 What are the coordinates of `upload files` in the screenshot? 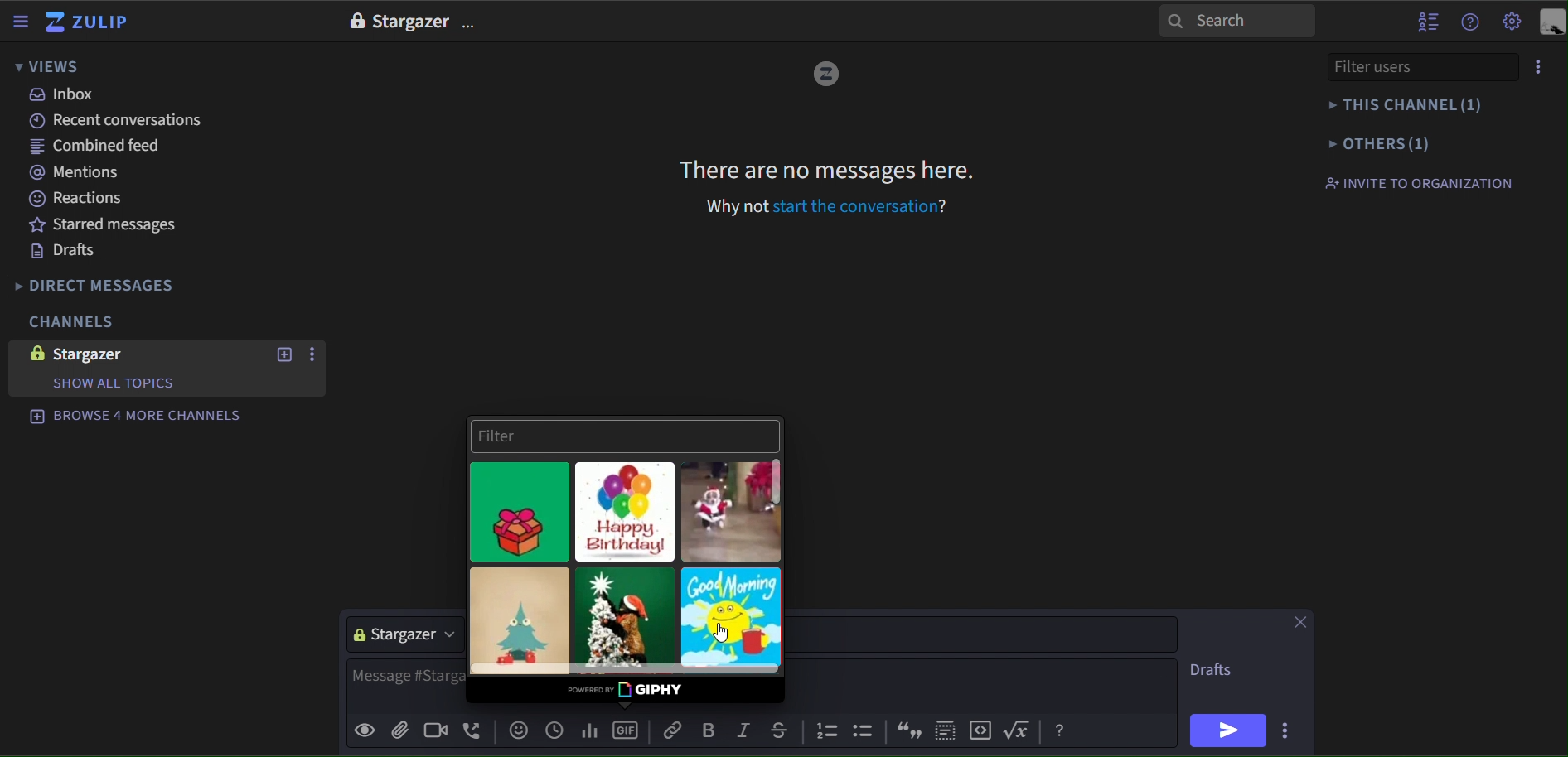 It's located at (399, 730).